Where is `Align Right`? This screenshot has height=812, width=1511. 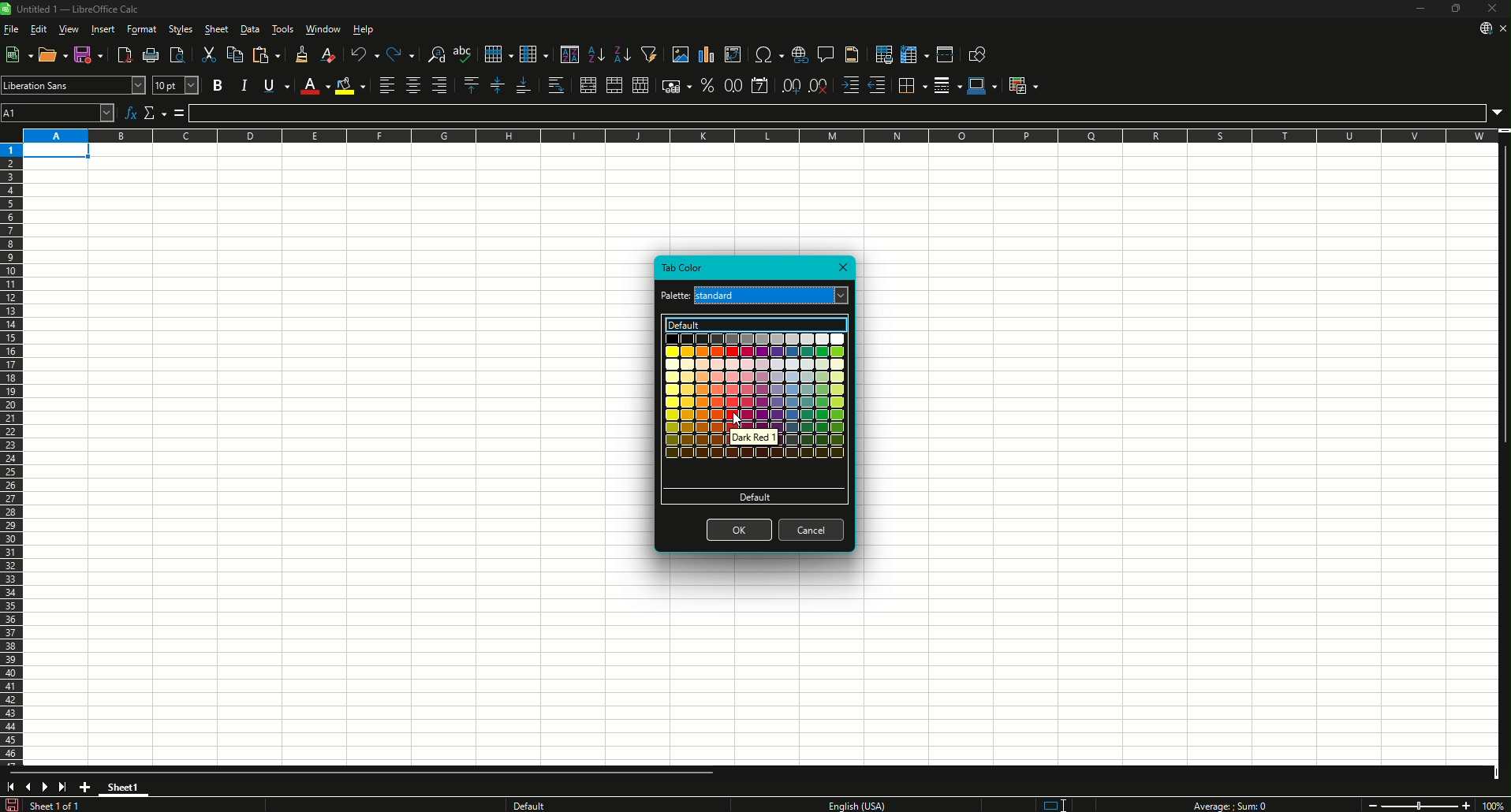
Align Right is located at coordinates (439, 85).